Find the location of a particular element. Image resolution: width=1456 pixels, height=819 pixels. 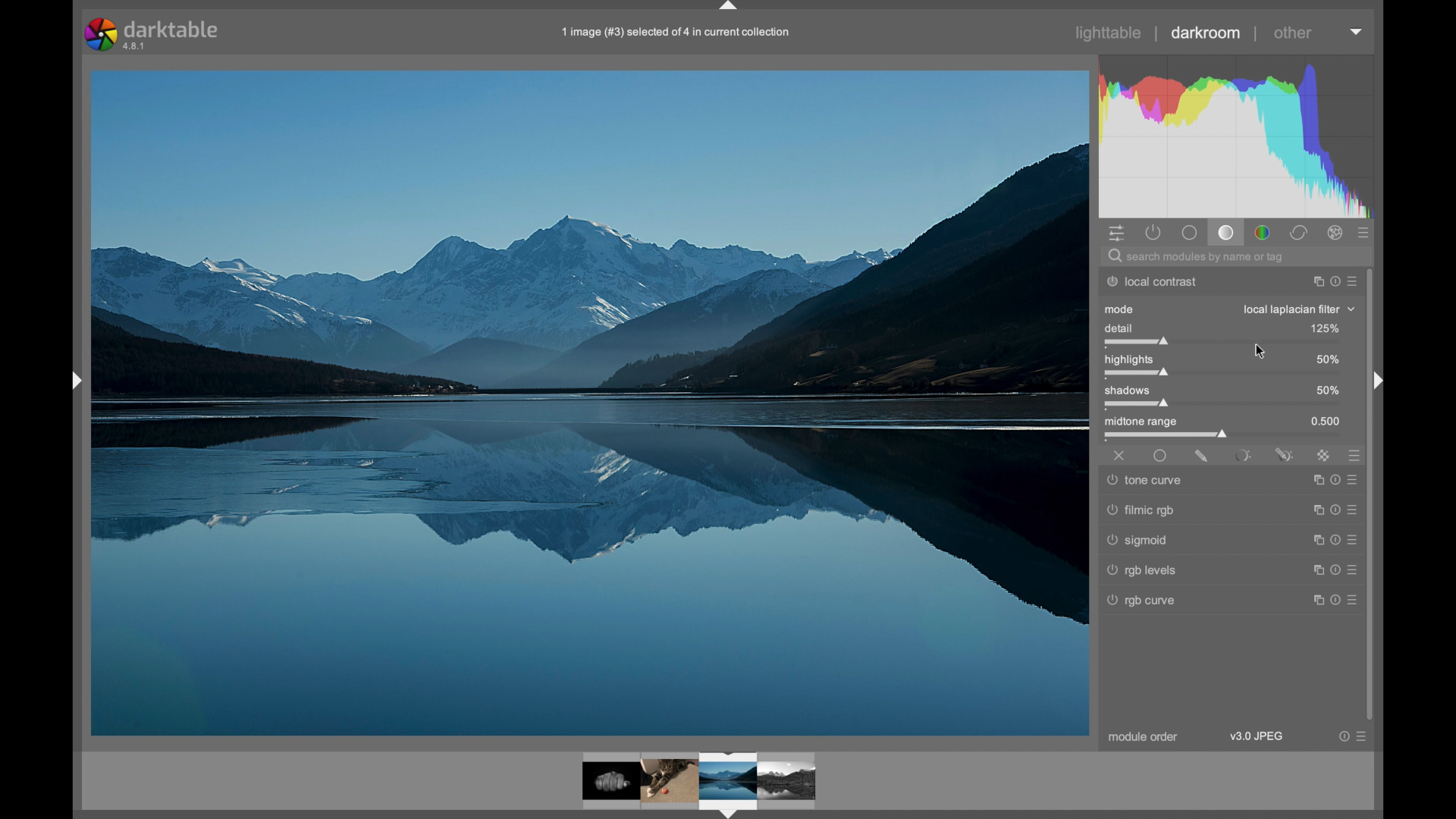

cursor is located at coordinates (1261, 353).